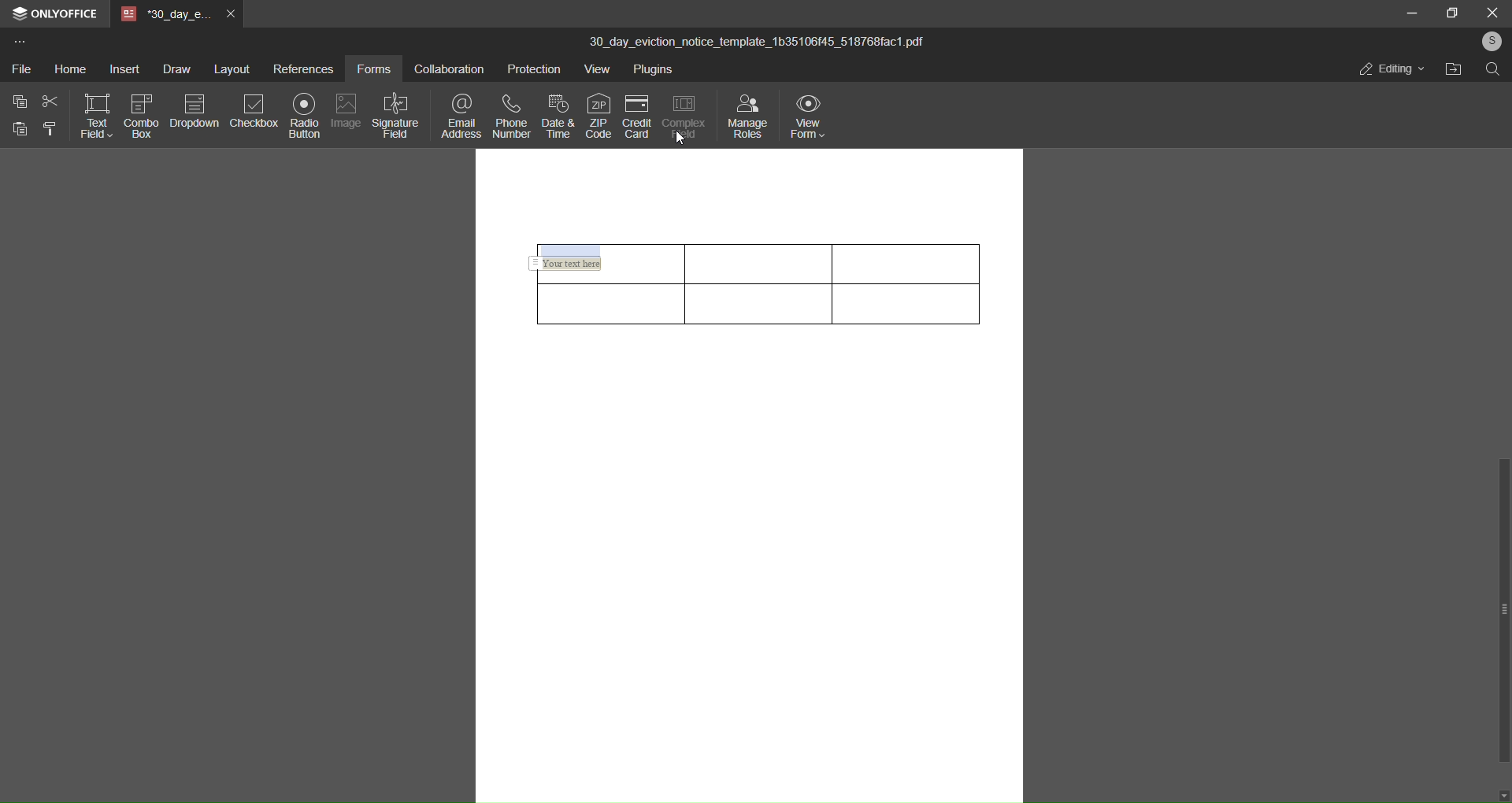 Image resolution: width=1512 pixels, height=803 pixels. What do you see at coordinates (49, 102) in the screenshot?
I see `cut` at bounding box center [49, 102].